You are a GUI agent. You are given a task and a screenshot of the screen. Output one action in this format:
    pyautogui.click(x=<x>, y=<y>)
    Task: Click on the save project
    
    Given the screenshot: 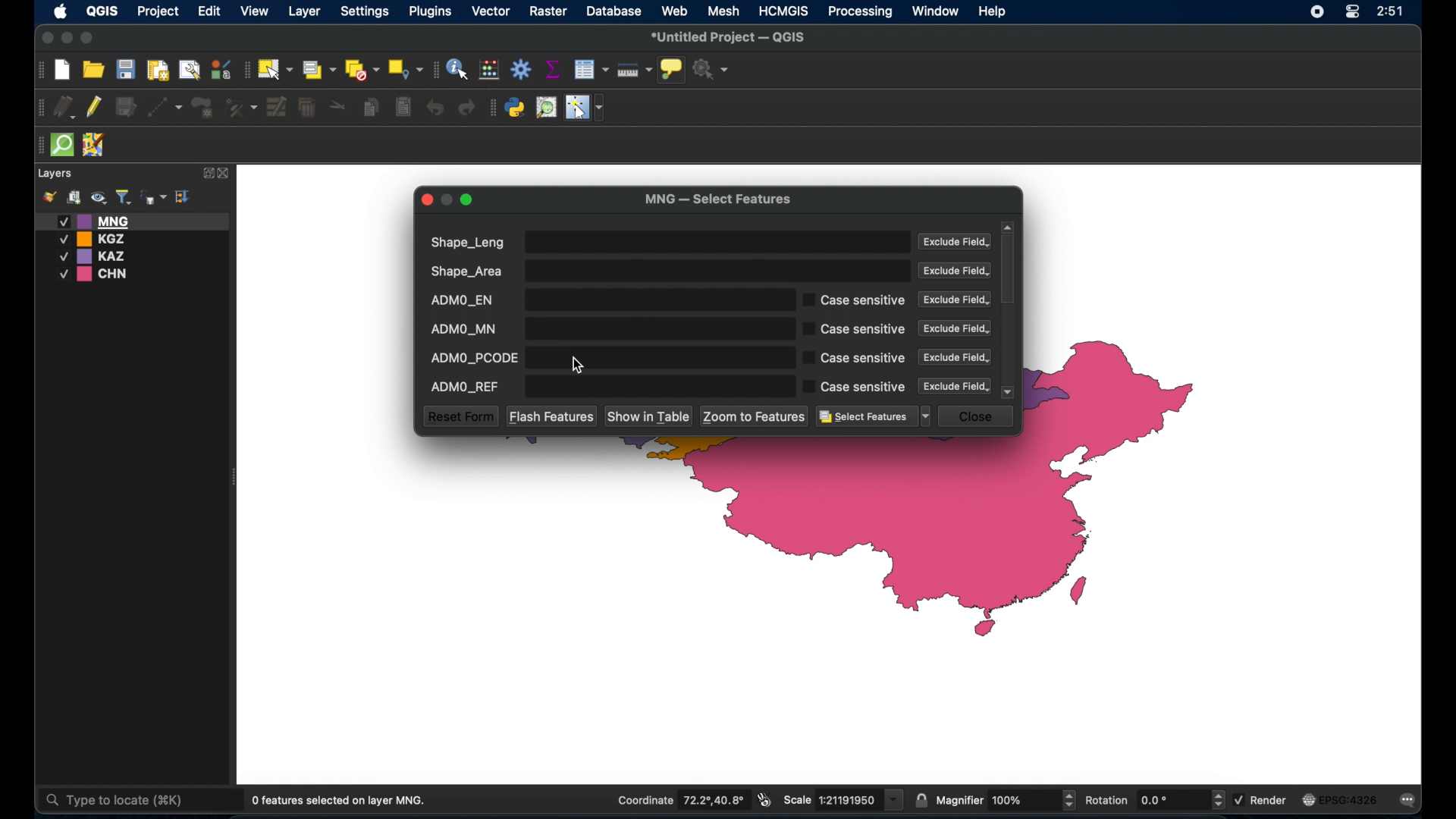 What is the action you would take?
    pyautogui.click(x=125, y=69)
    